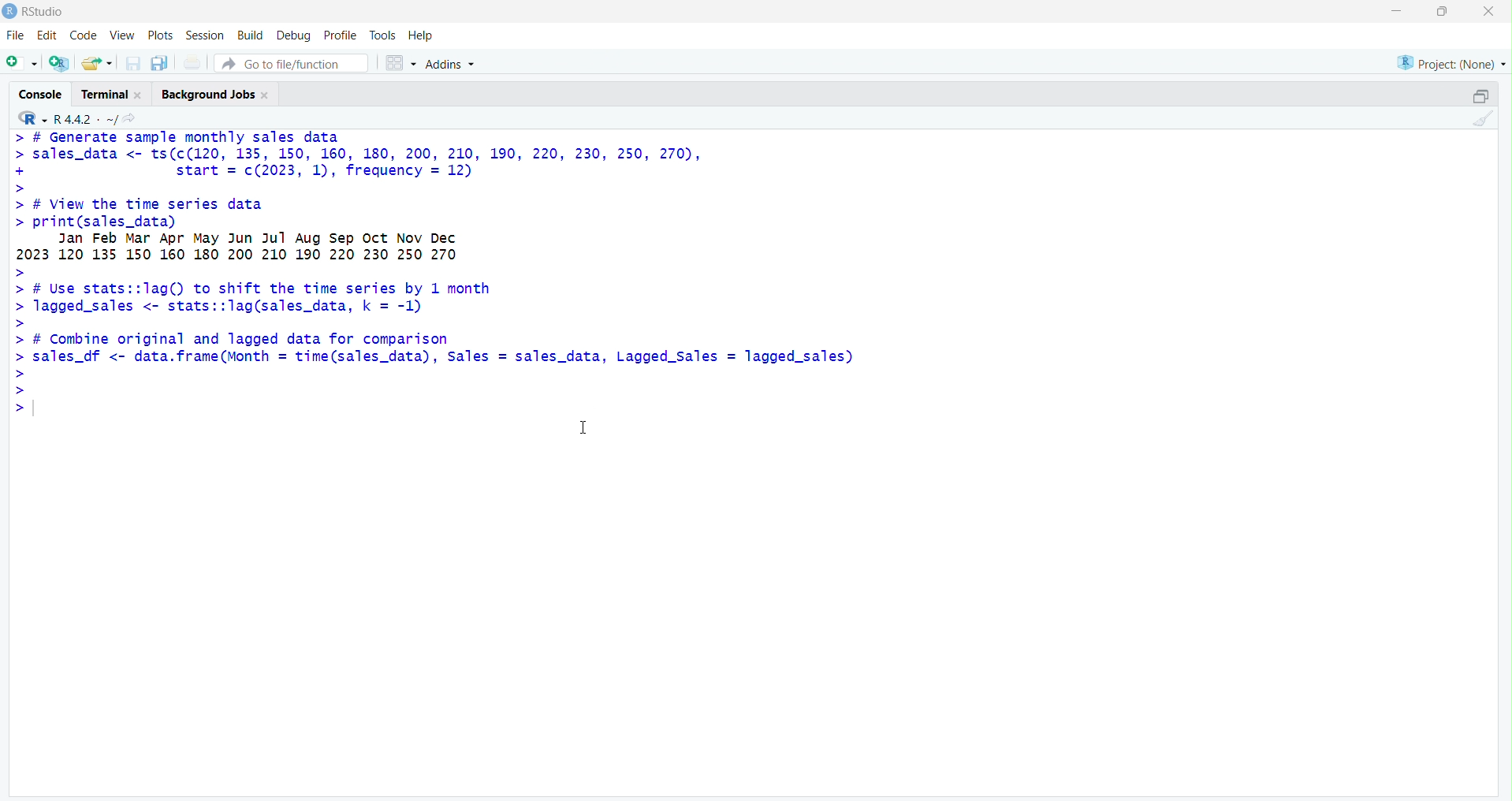 The width and height of the screenshot is (1512, 801). Describe the element at coordinates (110, 95) in the screenshot. I see `terminal` at that location.